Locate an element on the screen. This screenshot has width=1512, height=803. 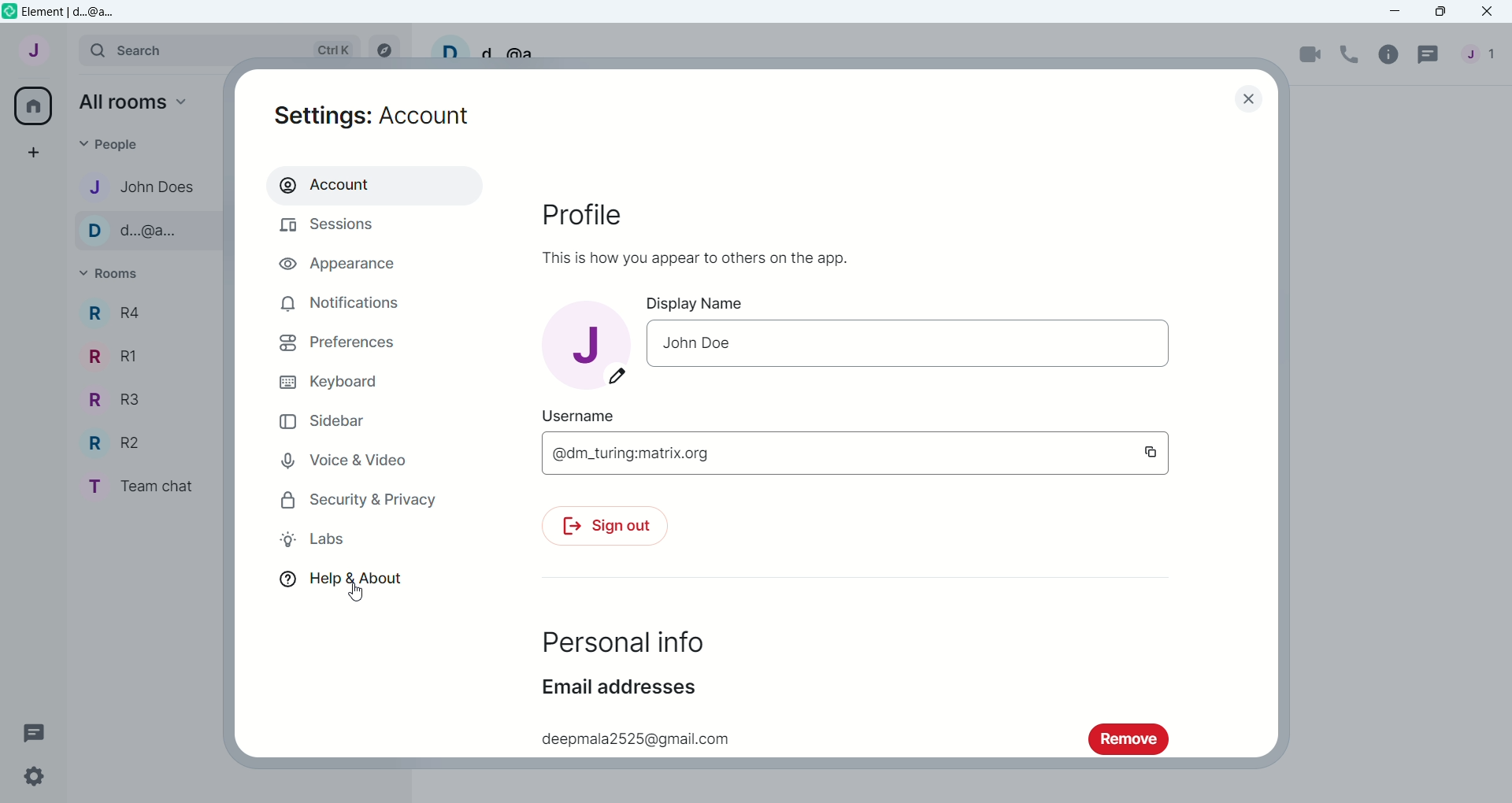
Email addresses is located at coordinates (616, 688).